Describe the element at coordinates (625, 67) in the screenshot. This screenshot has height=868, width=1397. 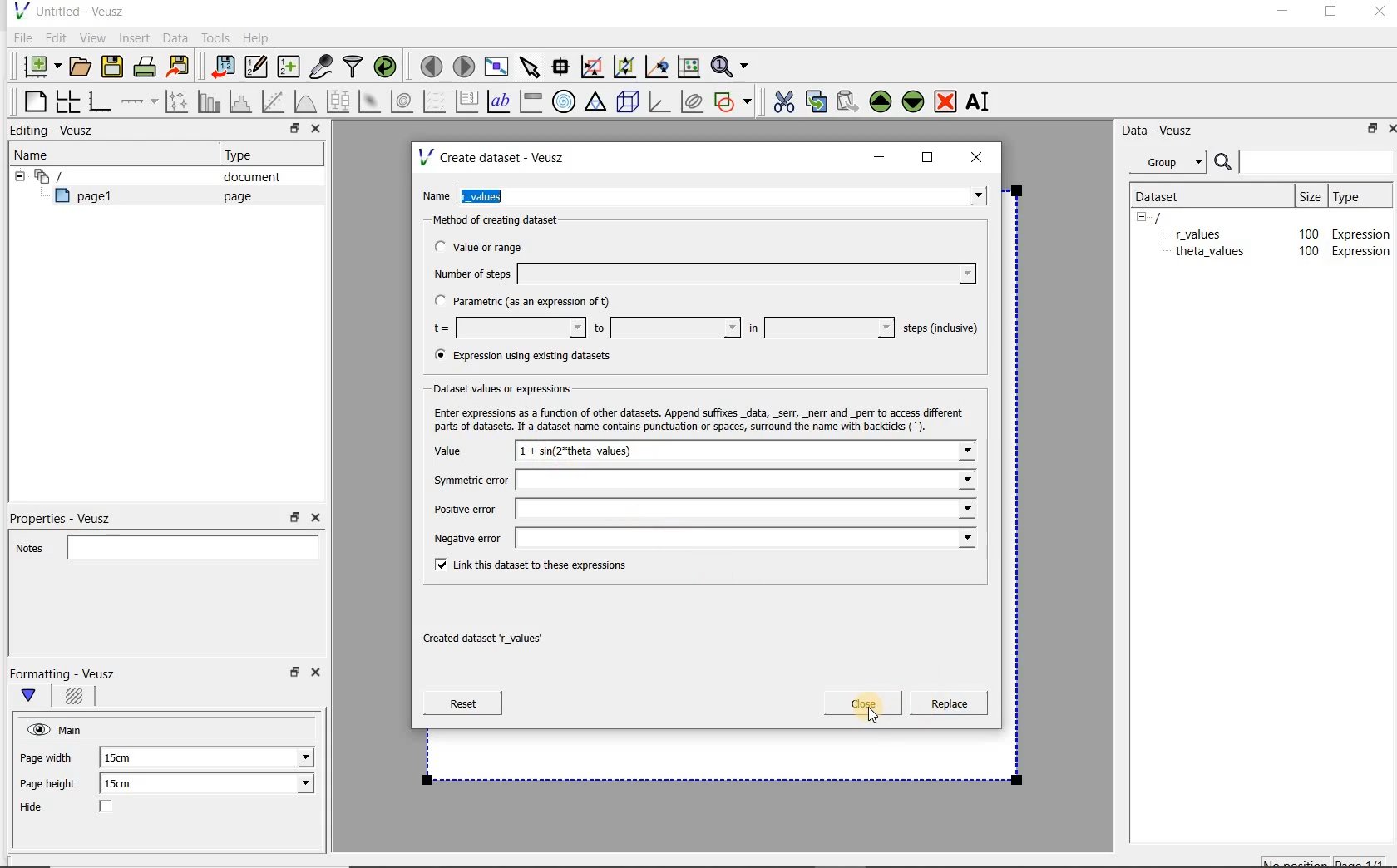
I see `click to zoom out of graph axes` at that location.